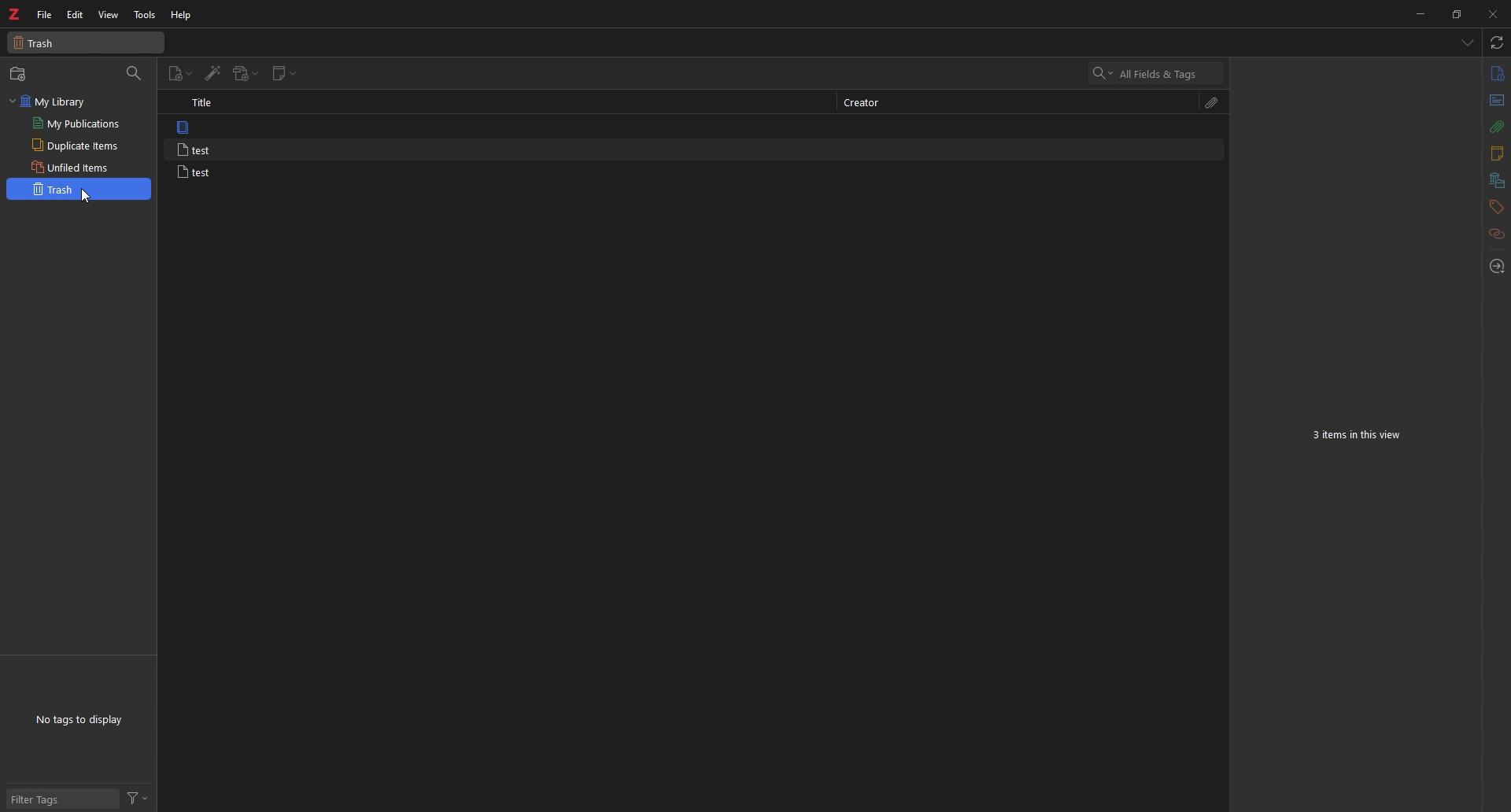  Describe the element at coordinates (1495, 127) in the screenshot. I see `attachments` at that location.